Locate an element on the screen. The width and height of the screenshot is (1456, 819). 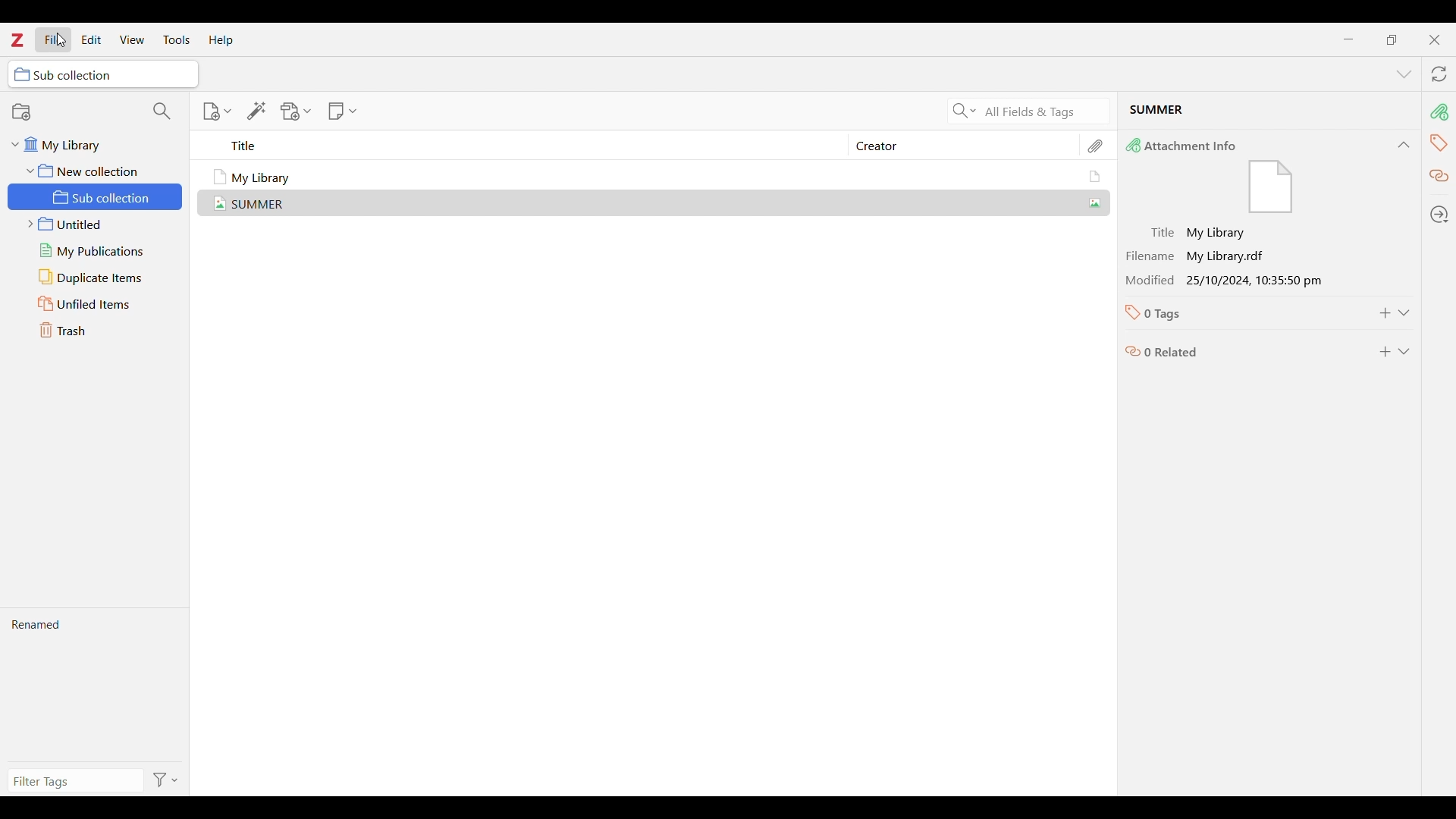
Unfiled items is located at coordinates (96, 303).